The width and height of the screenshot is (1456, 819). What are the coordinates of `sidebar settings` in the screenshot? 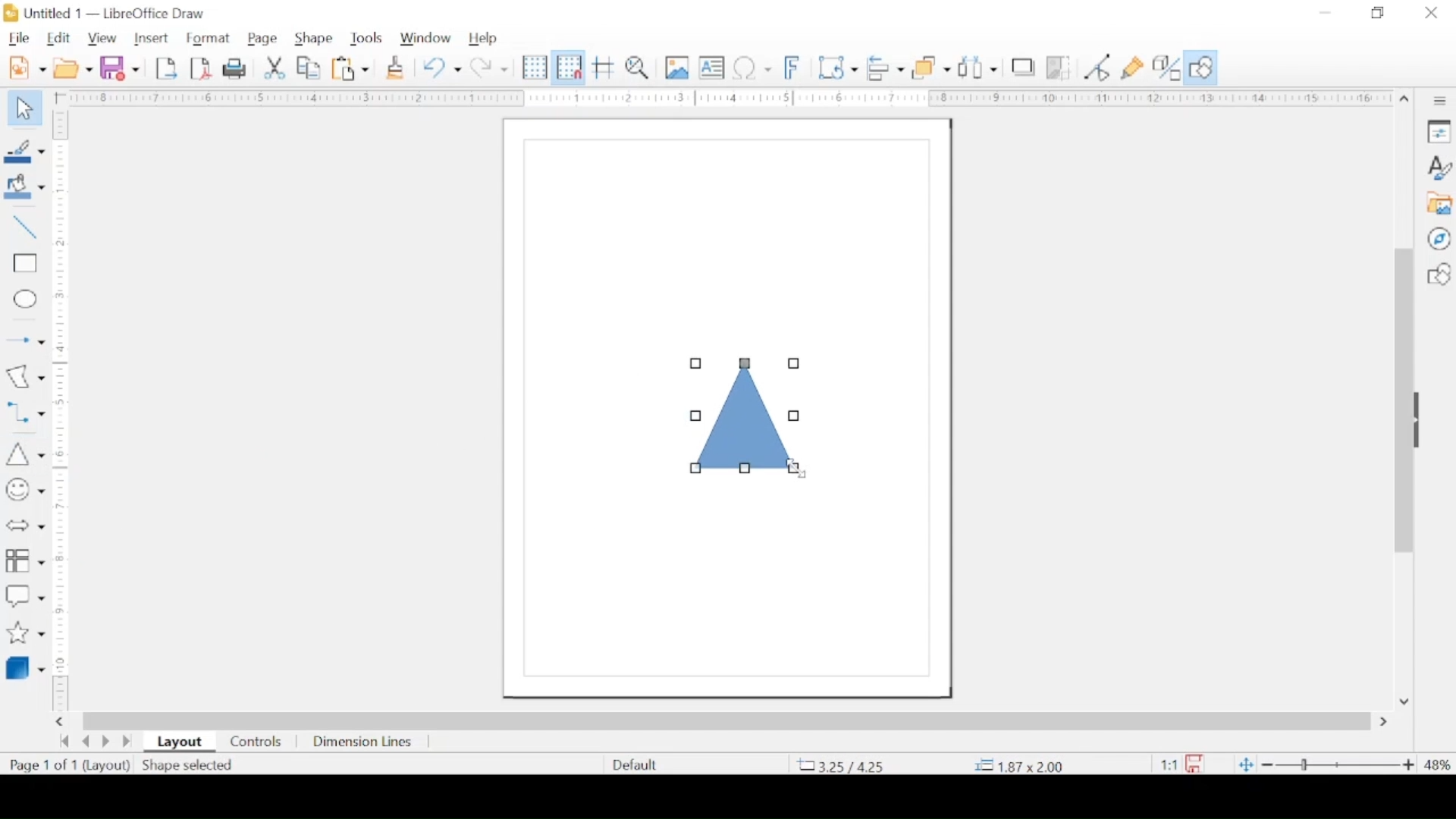 It's located at (1442, 102).